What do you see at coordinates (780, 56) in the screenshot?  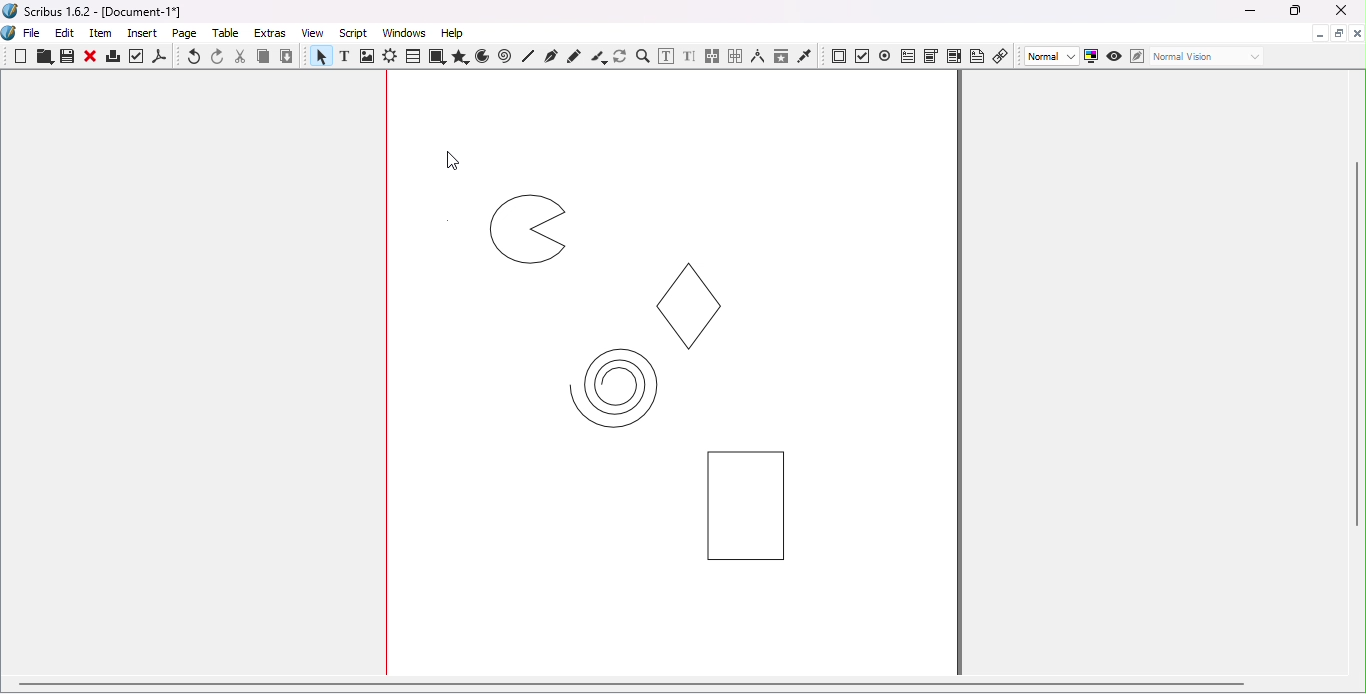 I see `Copy item properties` at bounding box center [780, 56].